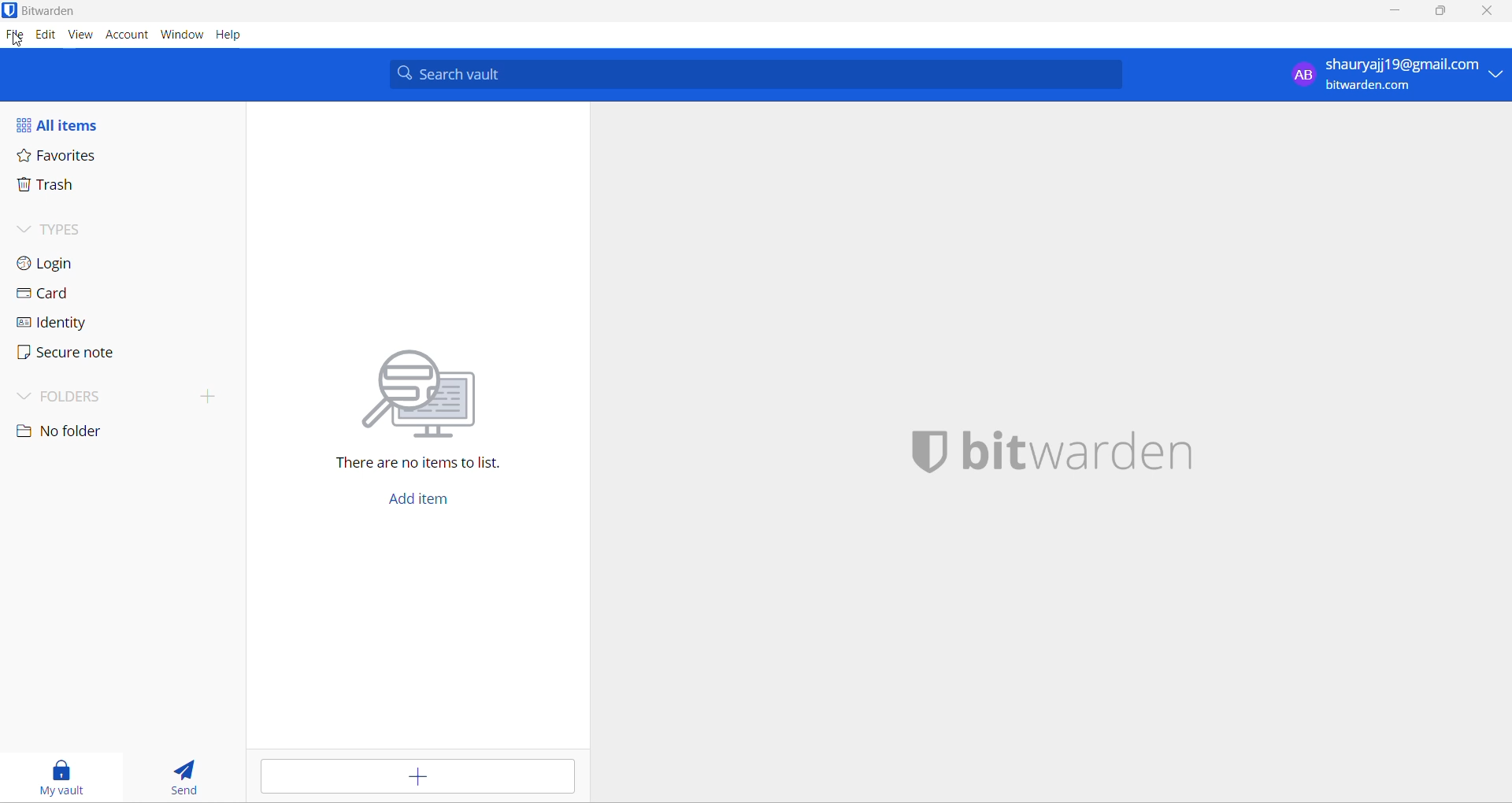 The height and width of the screenshot is (803, 1512). I want to click on card, so click(62, 295).